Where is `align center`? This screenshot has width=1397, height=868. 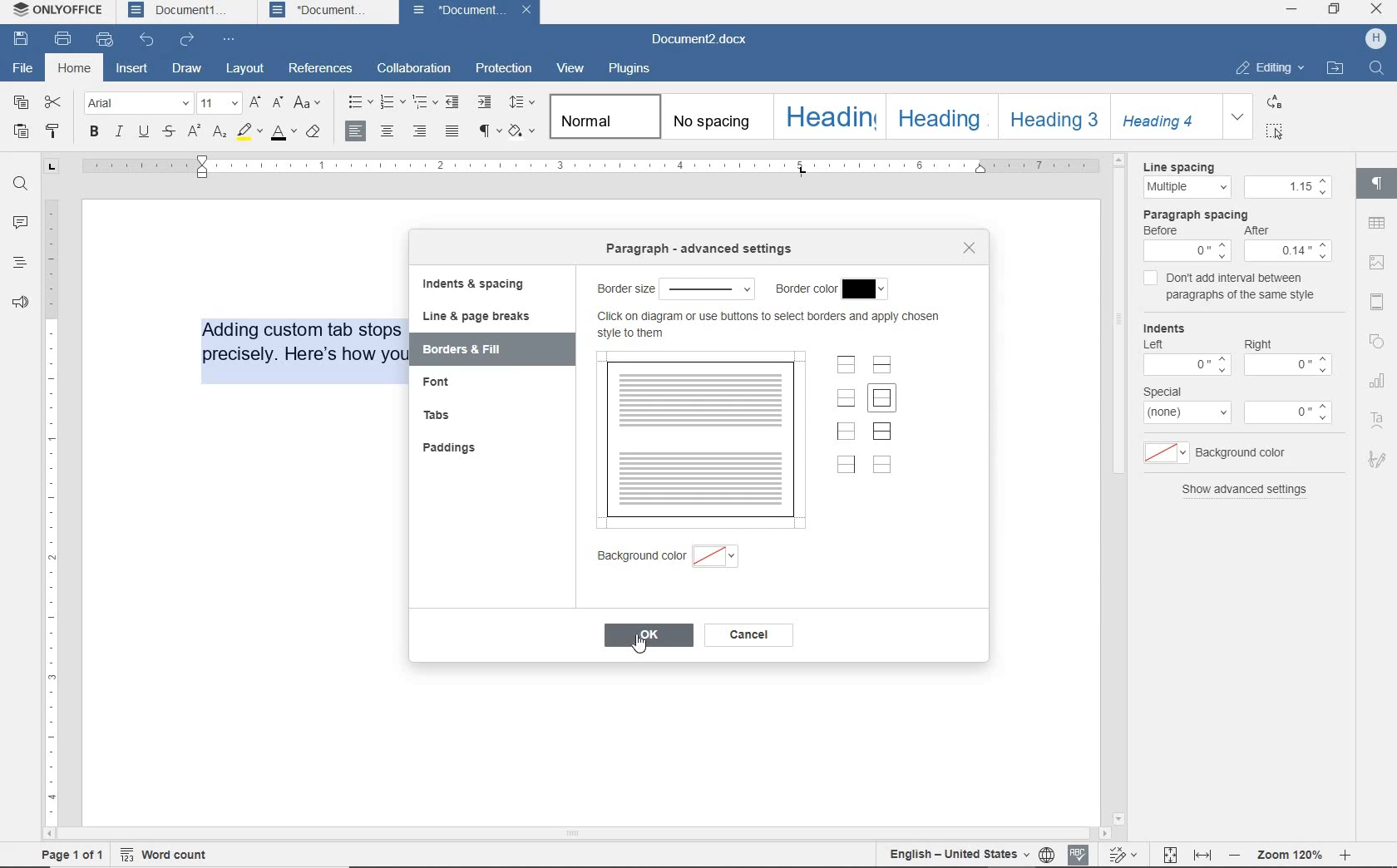
align center is located at coordinates (388, 131).